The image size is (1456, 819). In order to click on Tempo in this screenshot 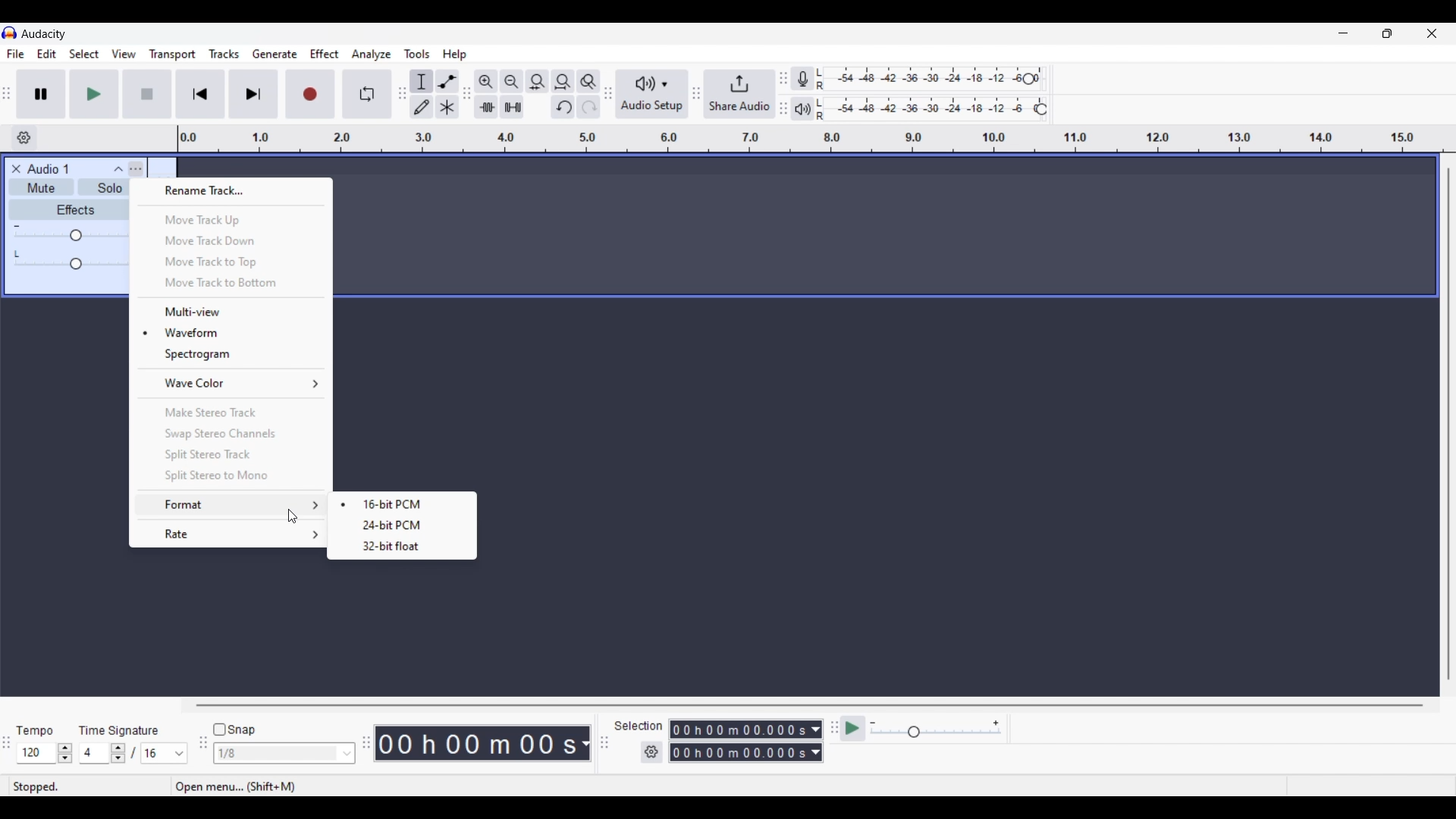, I will do `click(34, 730)`.